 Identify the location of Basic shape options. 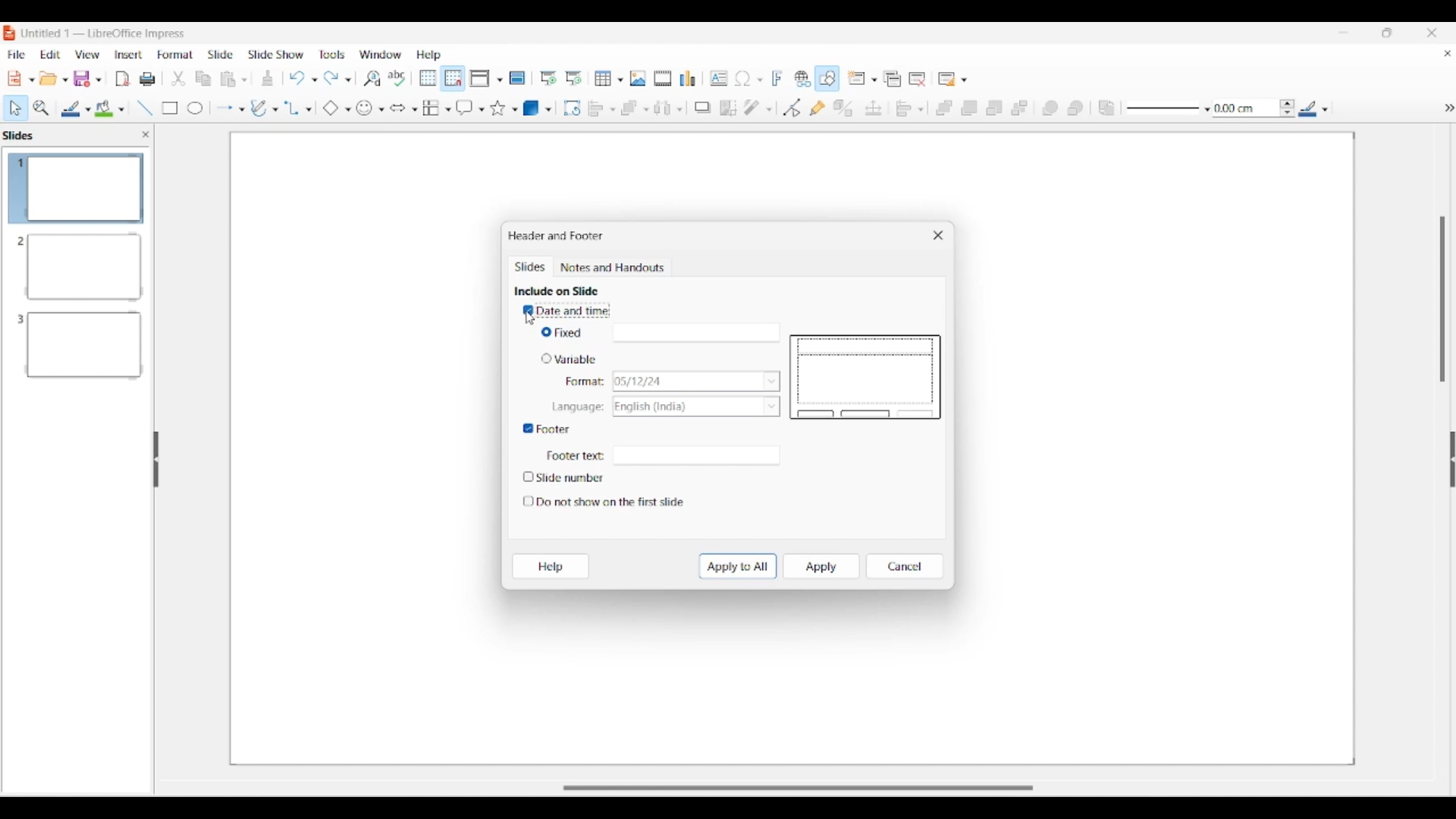
(337, 108).